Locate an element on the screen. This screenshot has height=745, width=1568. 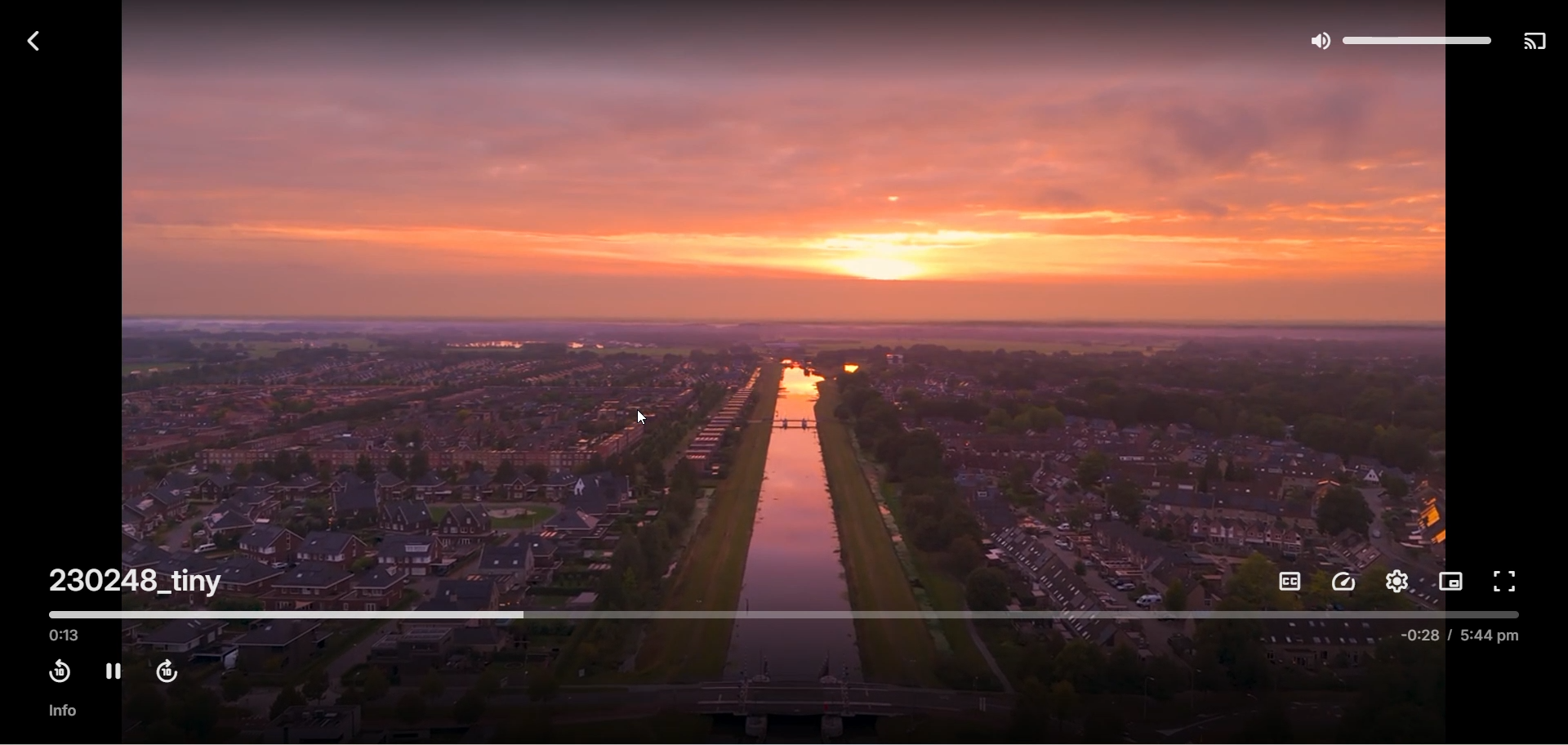
picture in picture is located at coordinates (1453, 582).